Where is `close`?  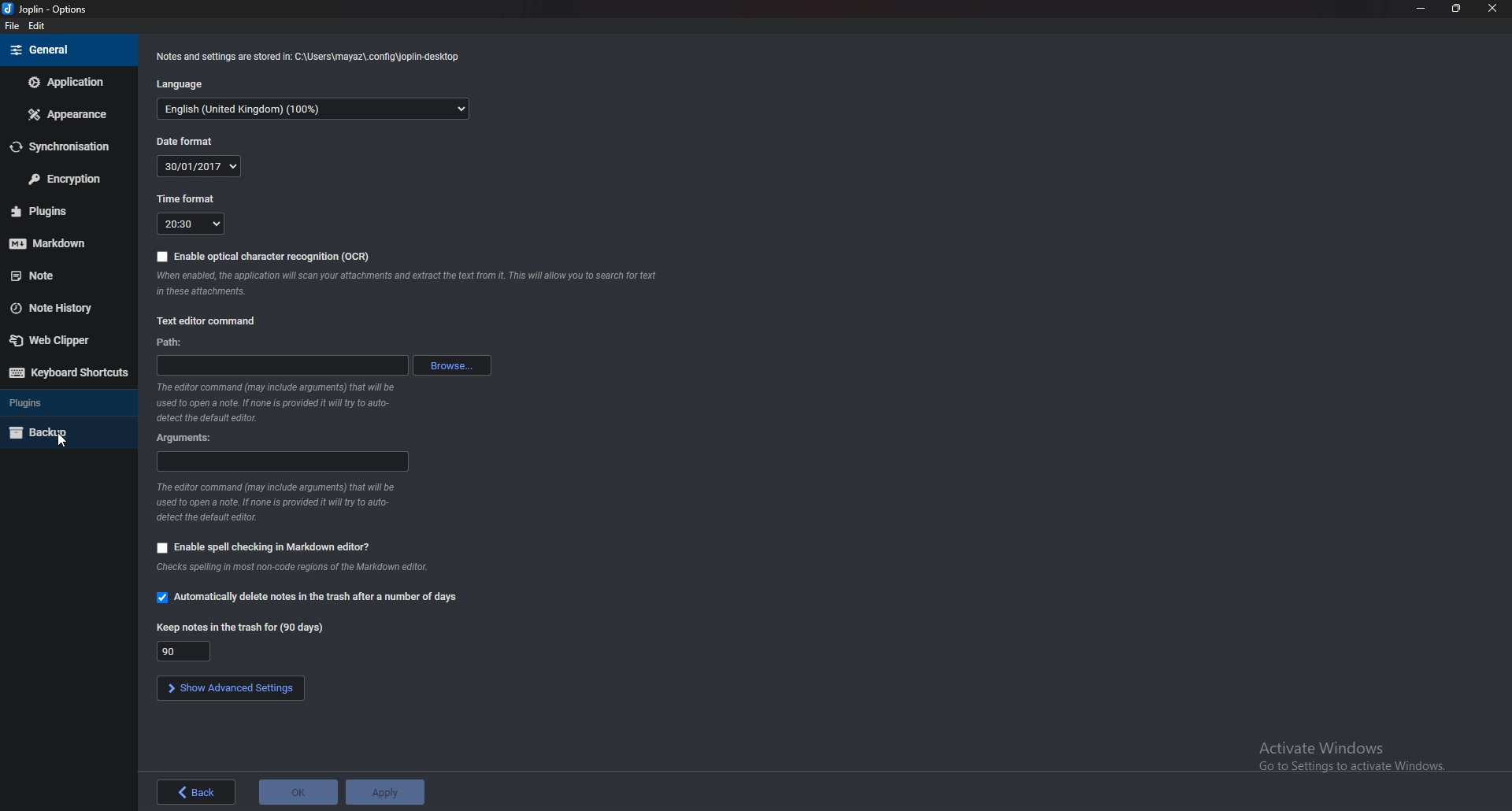
close is located at coordinates (1490, 12).